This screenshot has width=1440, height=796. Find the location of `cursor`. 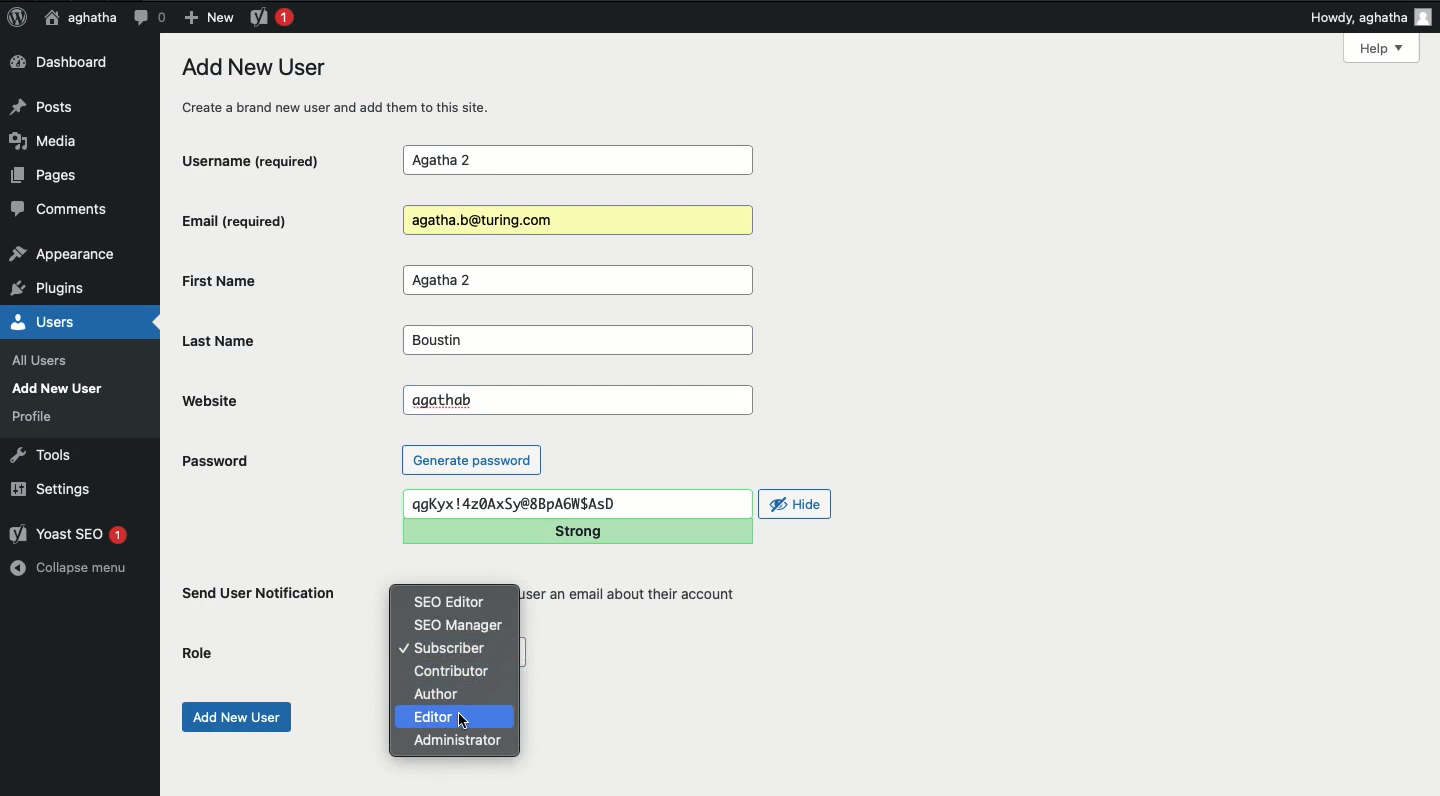

cursor is located at coordinates (462, 720).